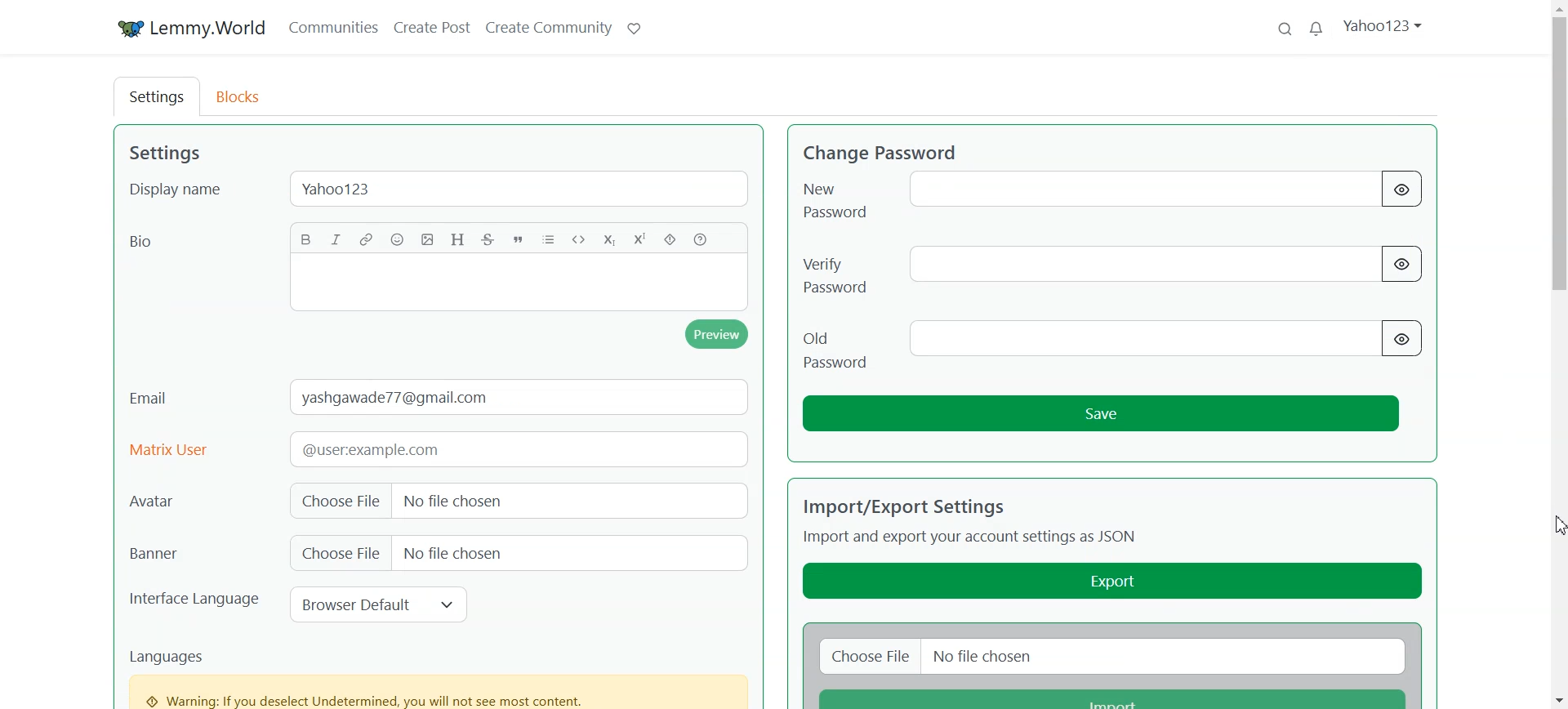 The height and width of the screenshot is (709, 1568). Describe the element at coordinates (1114, 580) in the screenshot. I see `Export` at that location.